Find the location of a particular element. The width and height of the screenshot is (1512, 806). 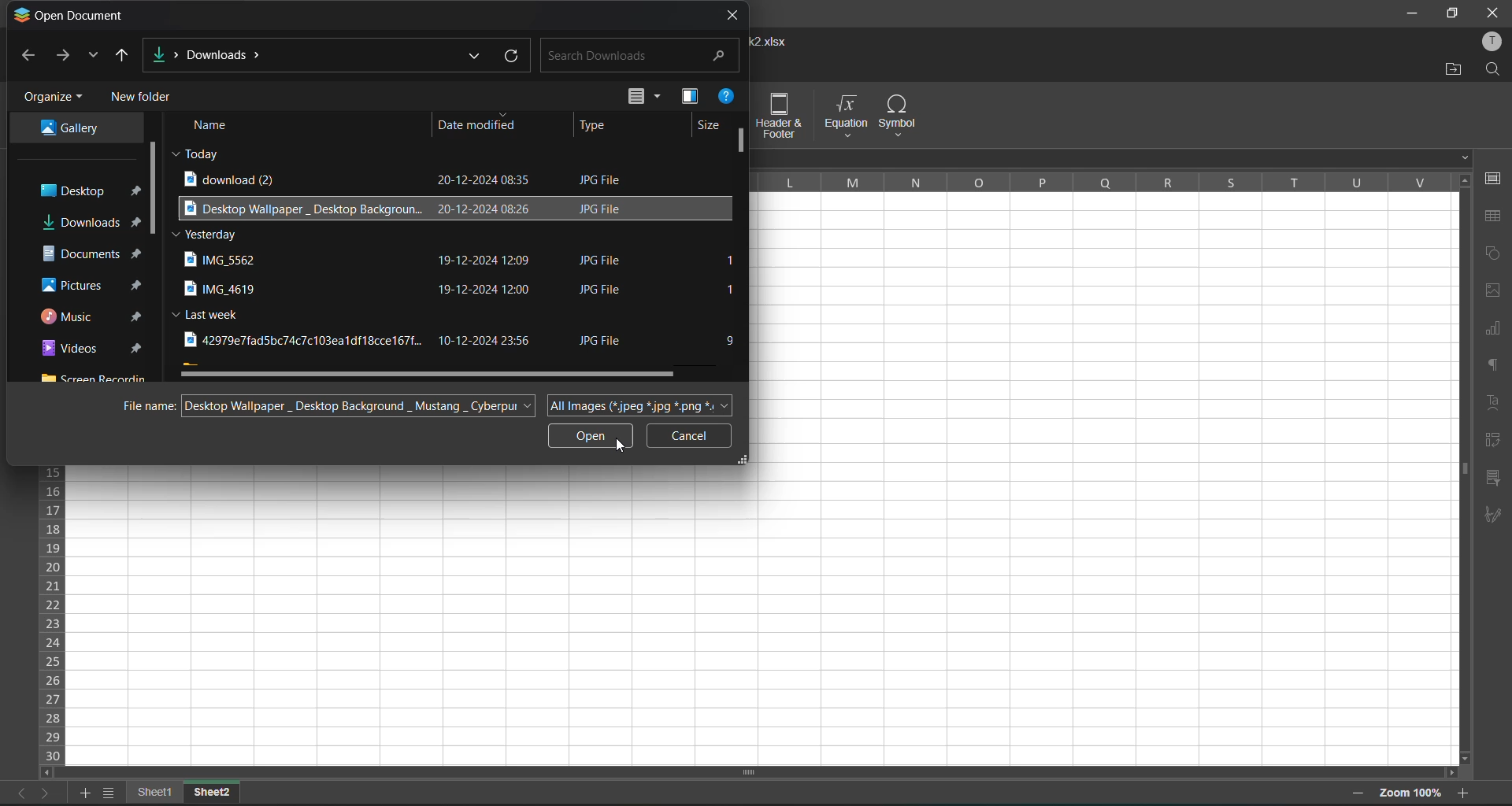

All Images (*.jpeg *.jpg *.png *. is located at coordinates (639, 406).